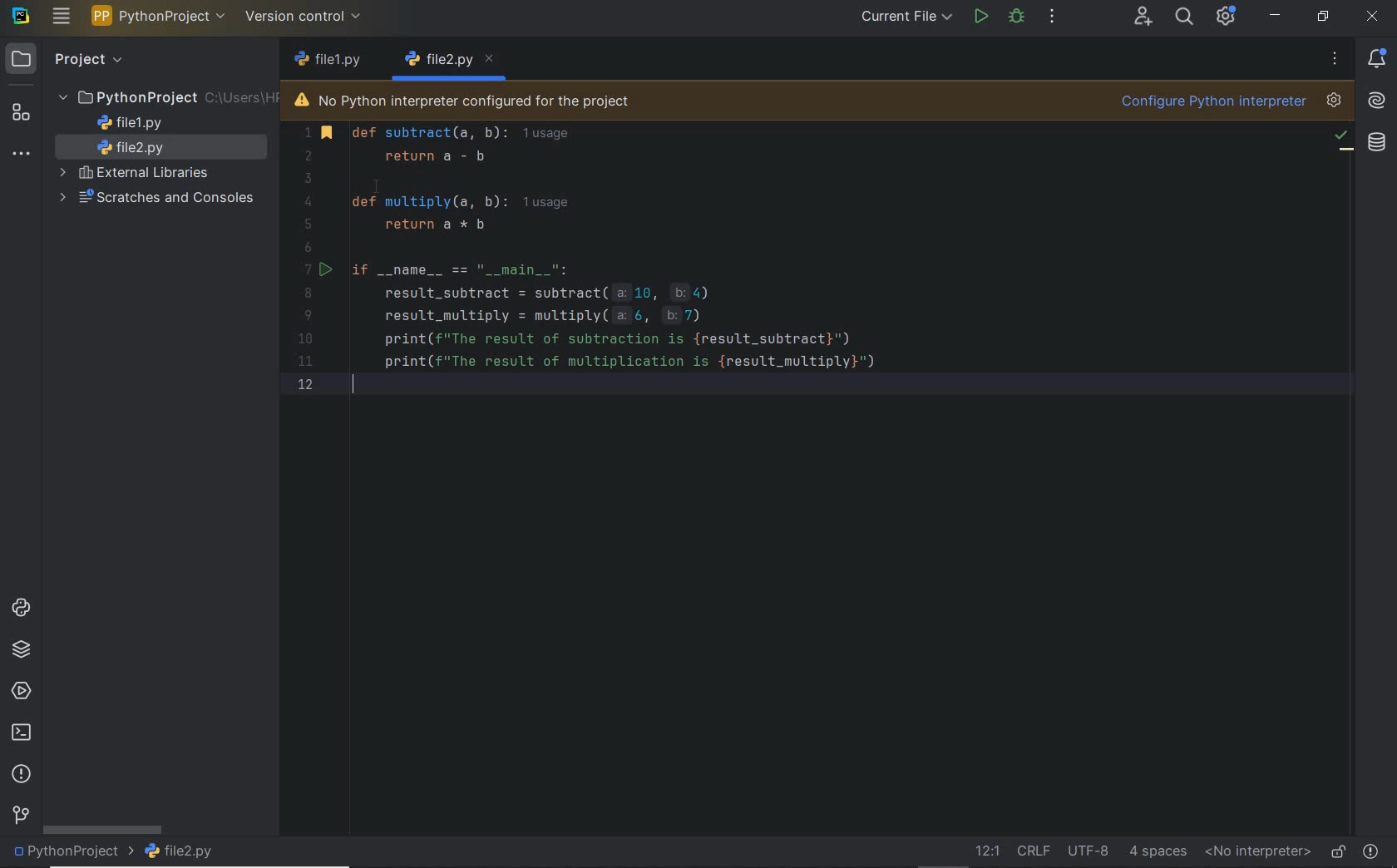 This screenshot has height=868, width=1397. What do you see at coordinates (166, 98) in the screenshot?
I see `project folder` at bounding box center [166, 98].